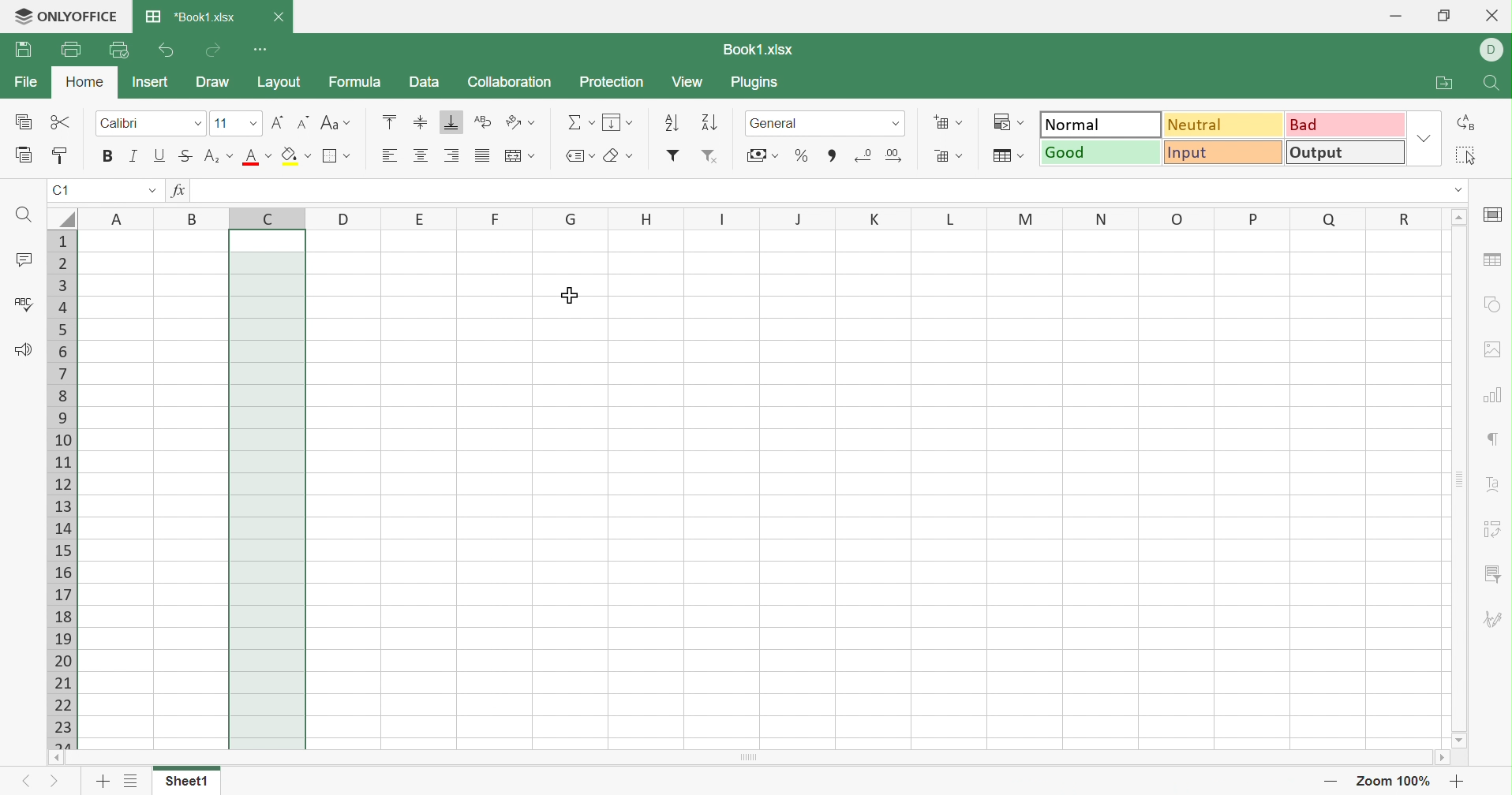 The width and height of the screenshot is (1512, 795). I want to click on Drop Down, so click(894, 124).